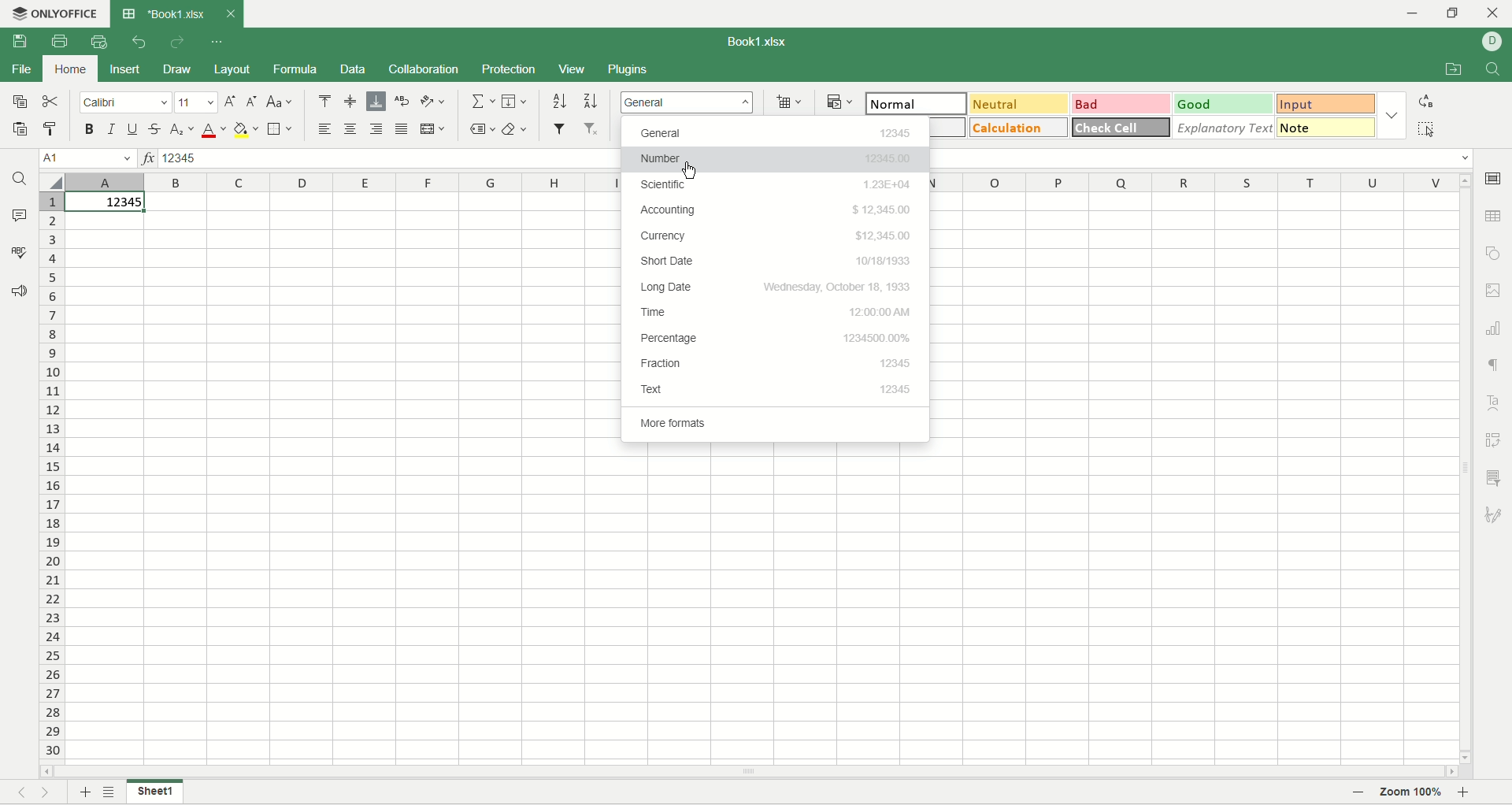 The image size is (1512, 805). What do you see at coordinates (1427, 131) in the screenshot?
I see `select all` at bounding box center [1427, 131].